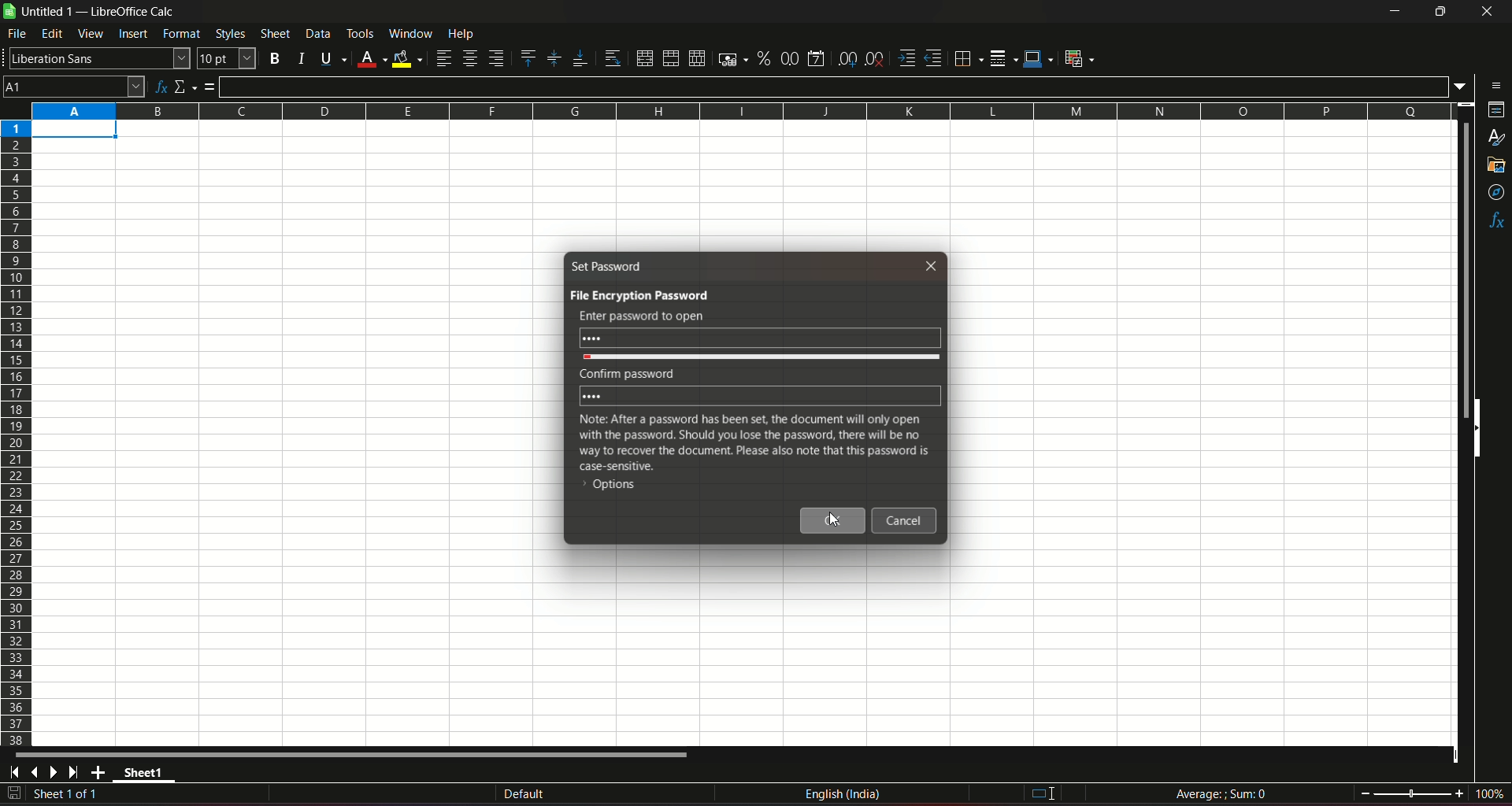 This screenshot has width=1512, height=806. Describe the element at coordinates (228, 59) in the screenshot. I see `font size` at that location.